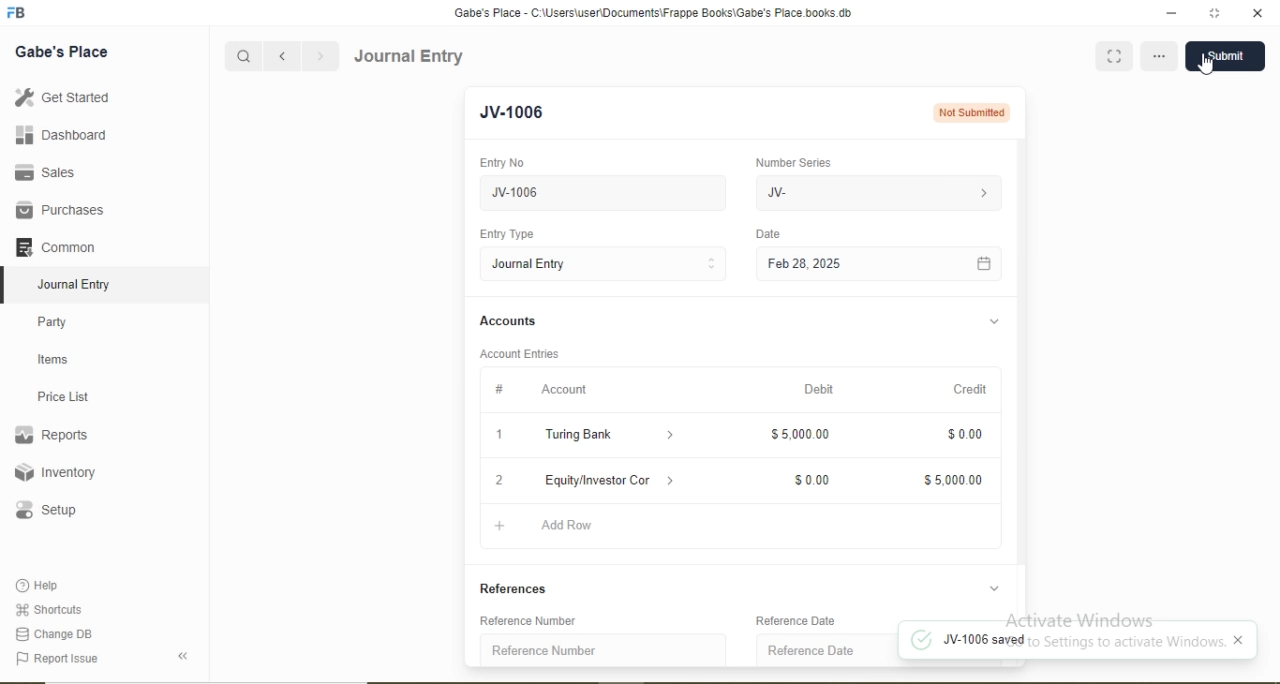 This screenshot has width=1280, height=684. What do you see at coordinates (1113, 56) in the screenshot?
I see `Full screen` at bounding box center [1113, 56].